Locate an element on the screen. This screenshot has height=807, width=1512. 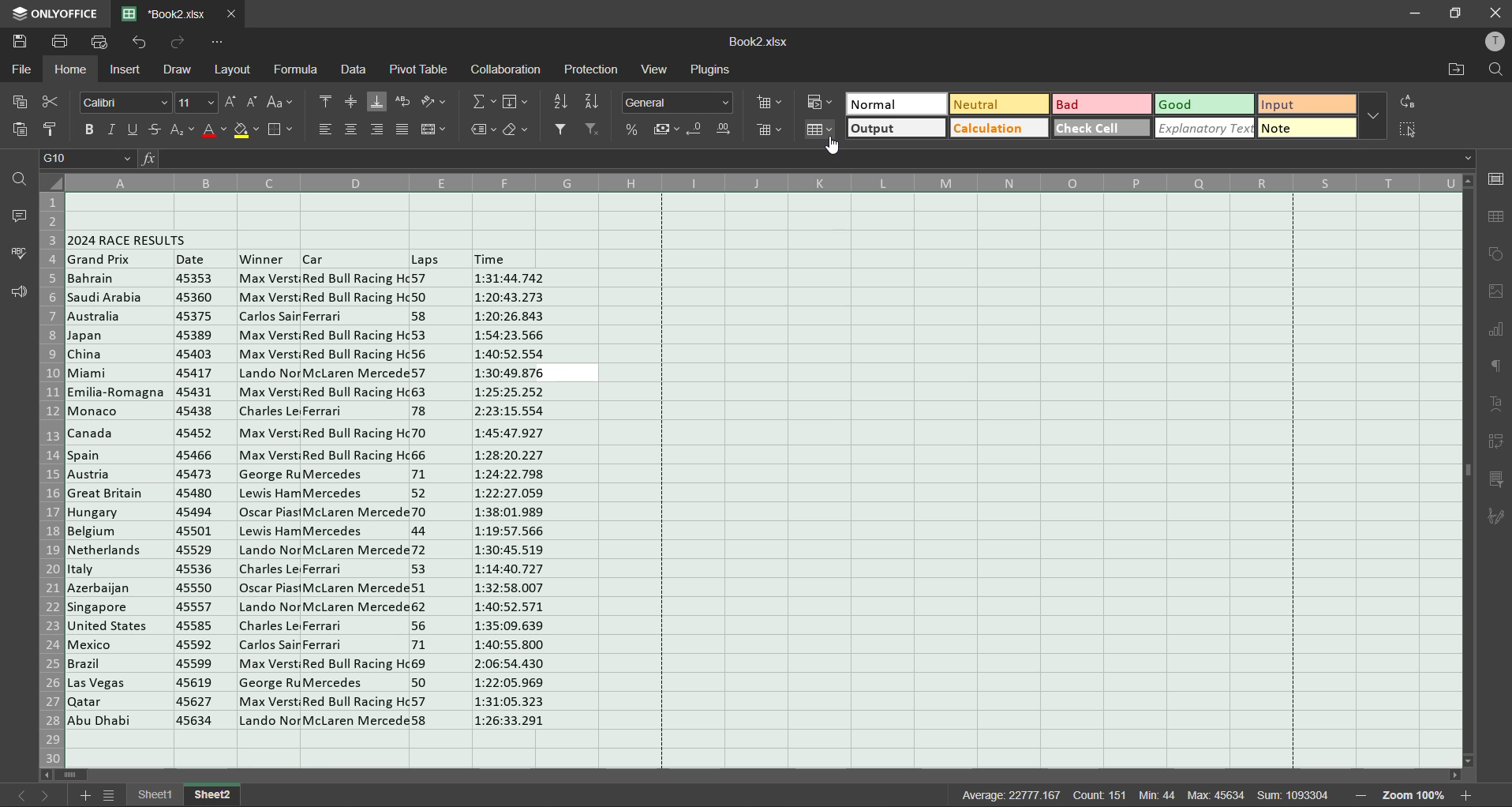
undo is located at coordinates (138, 44).